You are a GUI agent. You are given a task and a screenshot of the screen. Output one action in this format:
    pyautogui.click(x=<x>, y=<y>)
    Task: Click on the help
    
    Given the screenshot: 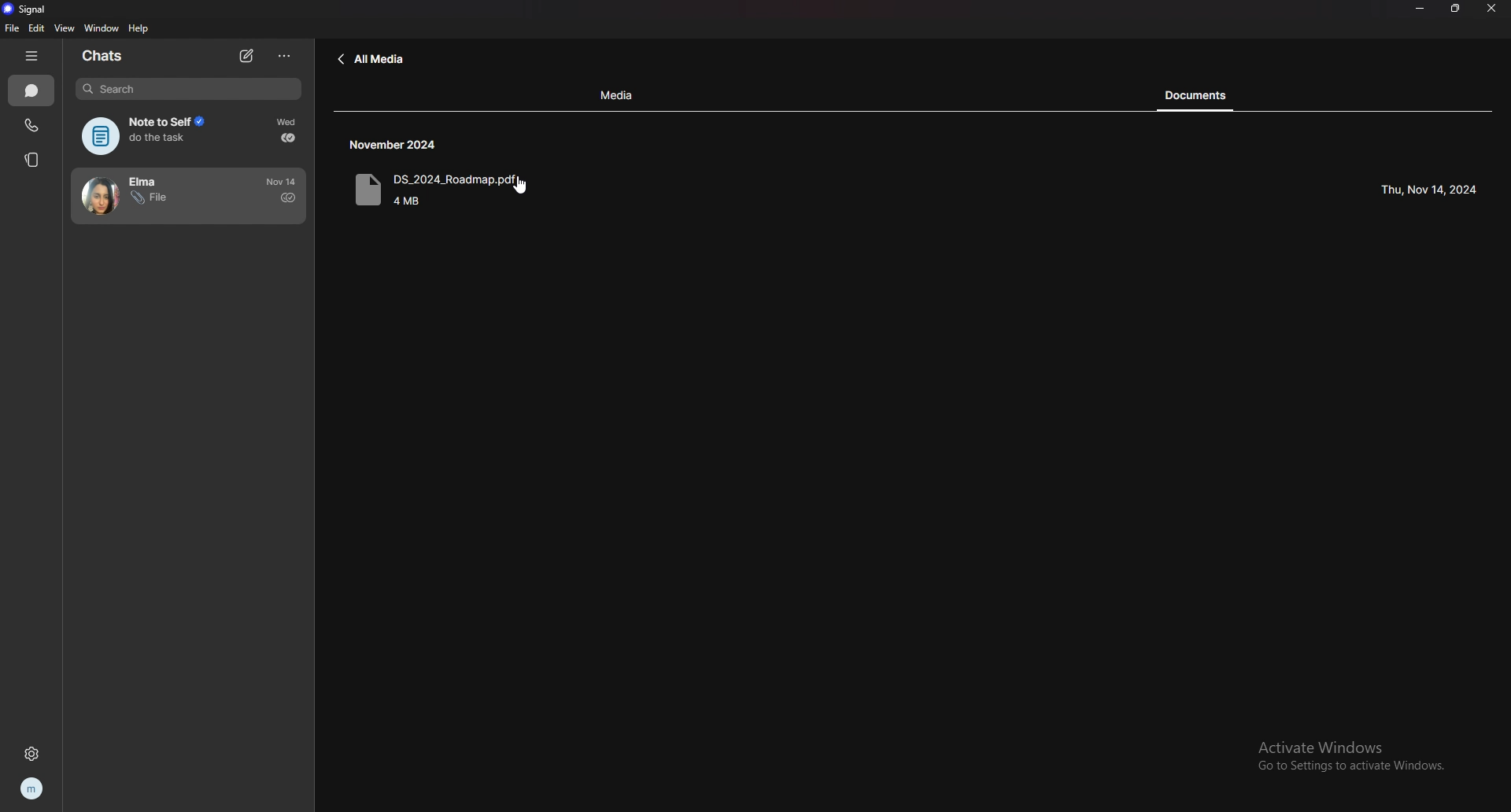 What is the action you would take?
    pyautogui.click(x=138, y=30)
    